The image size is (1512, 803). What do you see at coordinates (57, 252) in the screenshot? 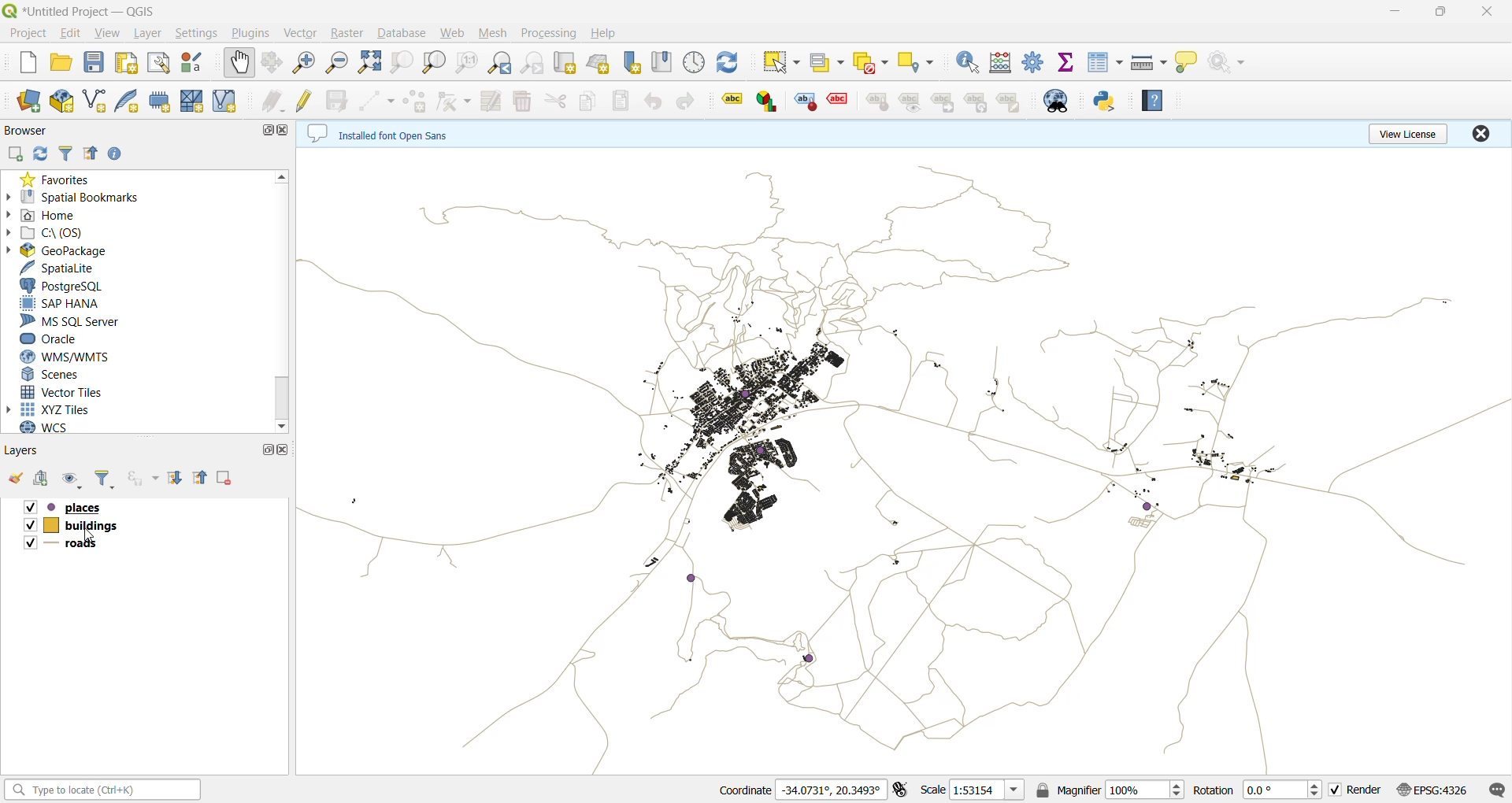
I see `geopackage` at bounding box center [57, 252].